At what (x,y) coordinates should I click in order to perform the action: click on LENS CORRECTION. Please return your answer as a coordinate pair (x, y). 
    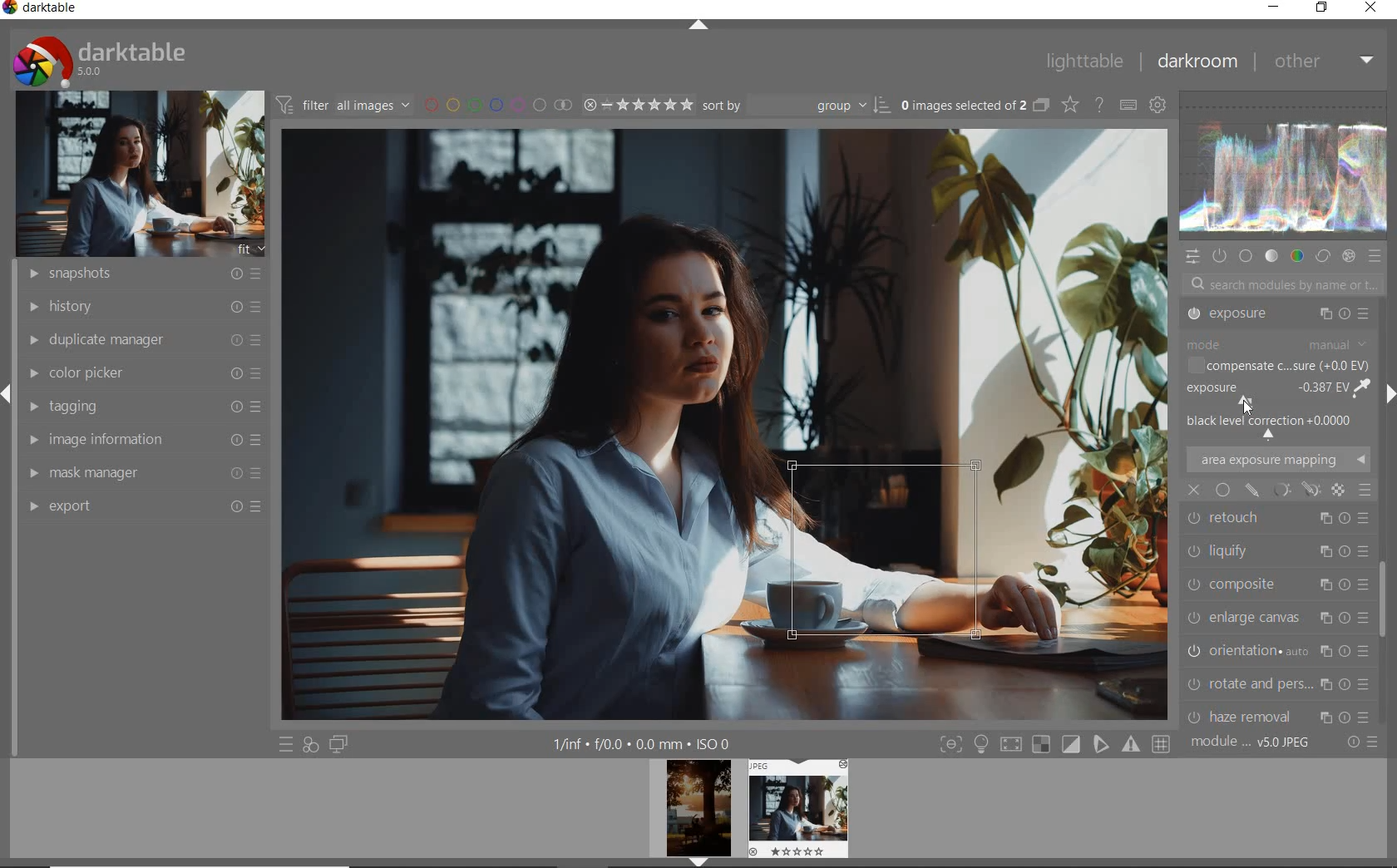
    Looking at the image, I should click on (1278, 679).